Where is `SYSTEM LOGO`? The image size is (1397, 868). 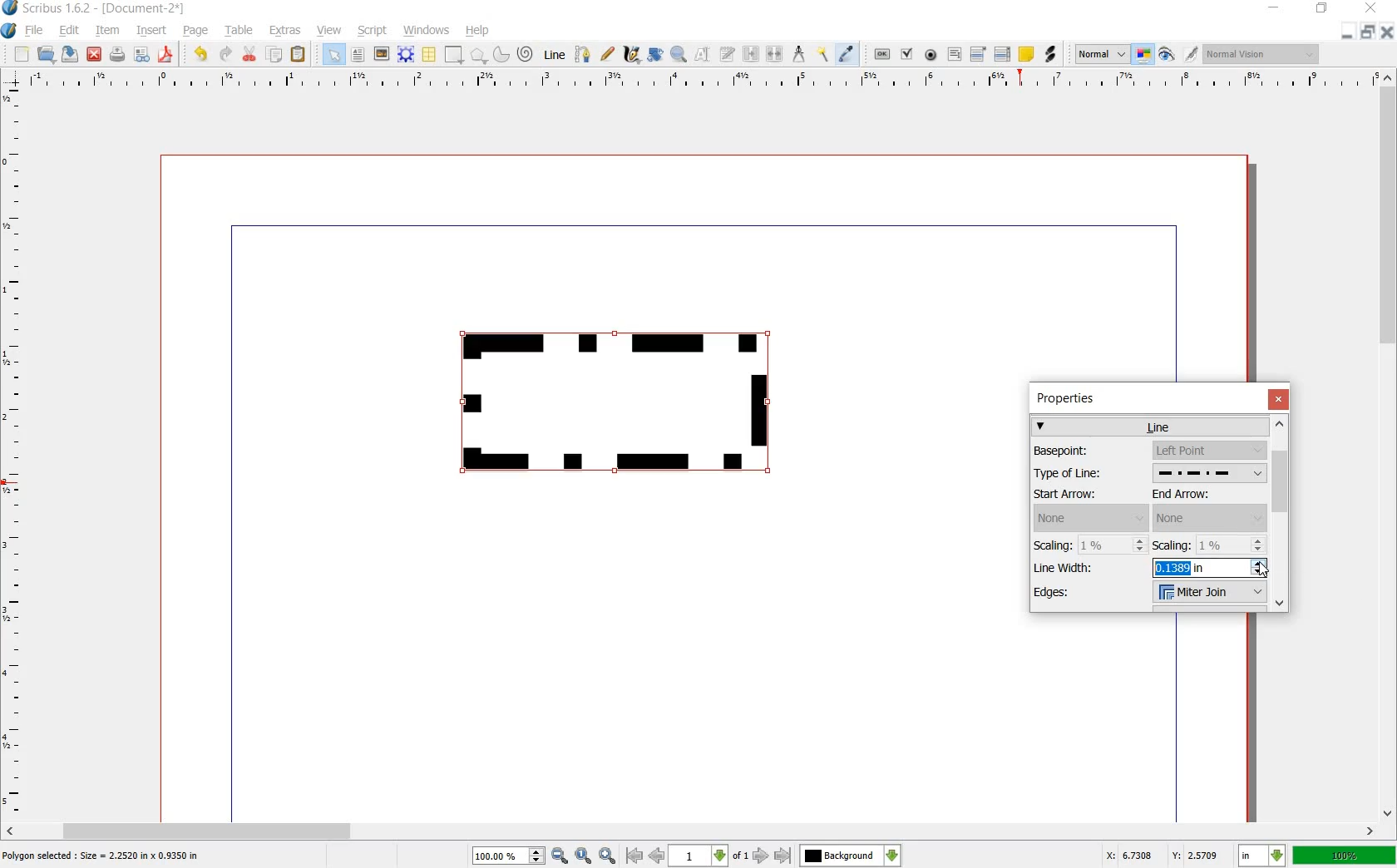
SYSTEM LOGO is located at coordinates (10, 29).